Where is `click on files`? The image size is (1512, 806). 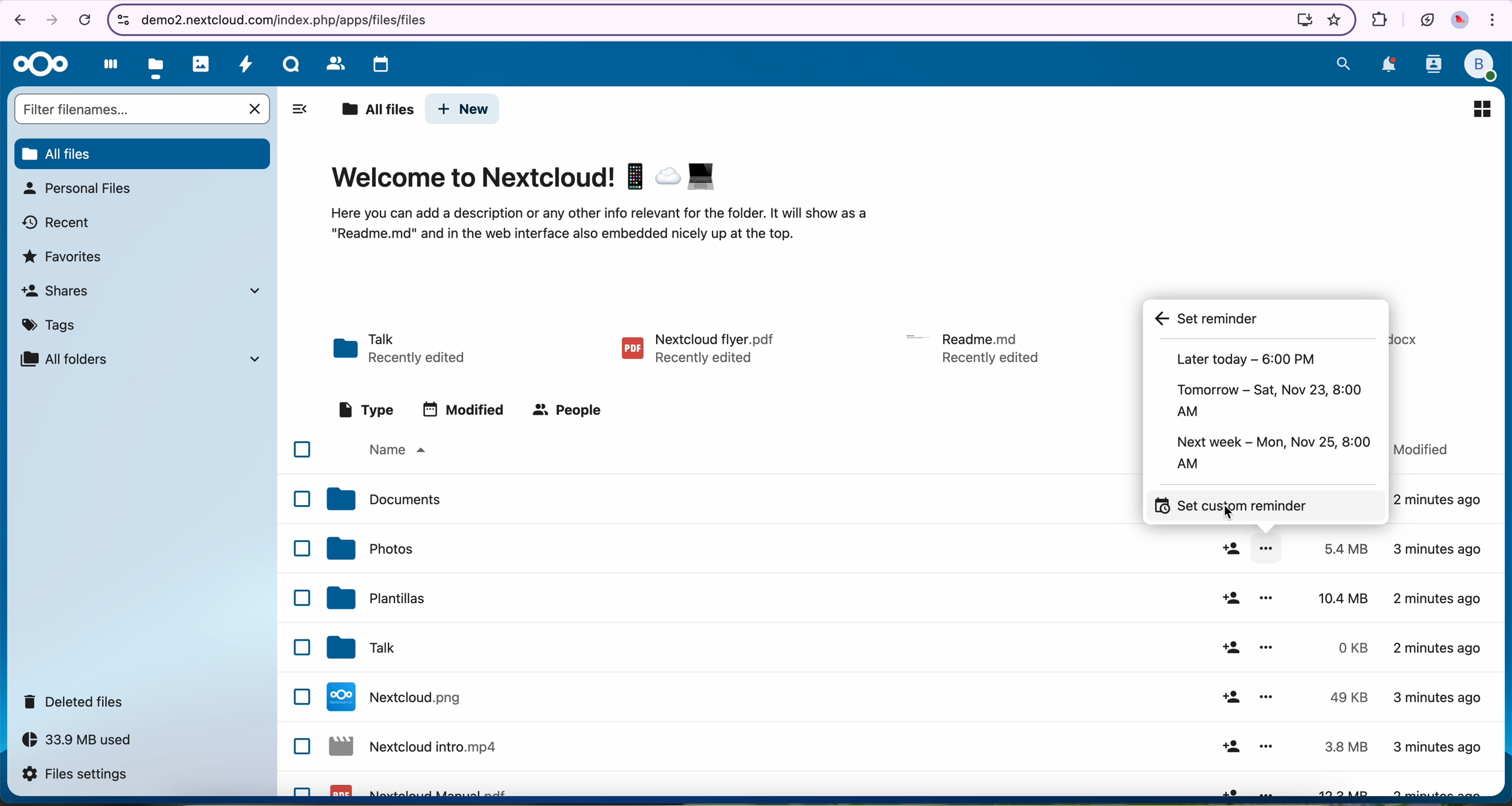 click on files is located at coordinates (158, 62).